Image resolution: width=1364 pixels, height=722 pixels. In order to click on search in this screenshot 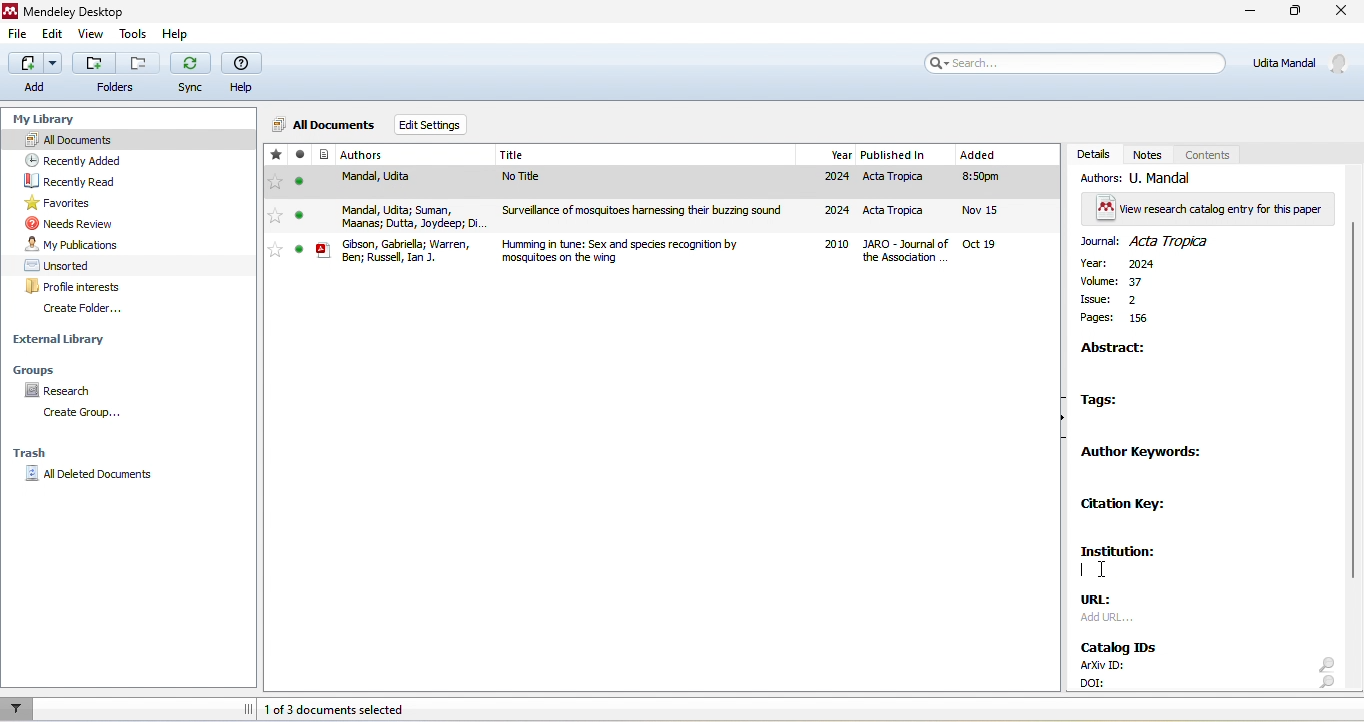, I will do `click(1325, 673)`.